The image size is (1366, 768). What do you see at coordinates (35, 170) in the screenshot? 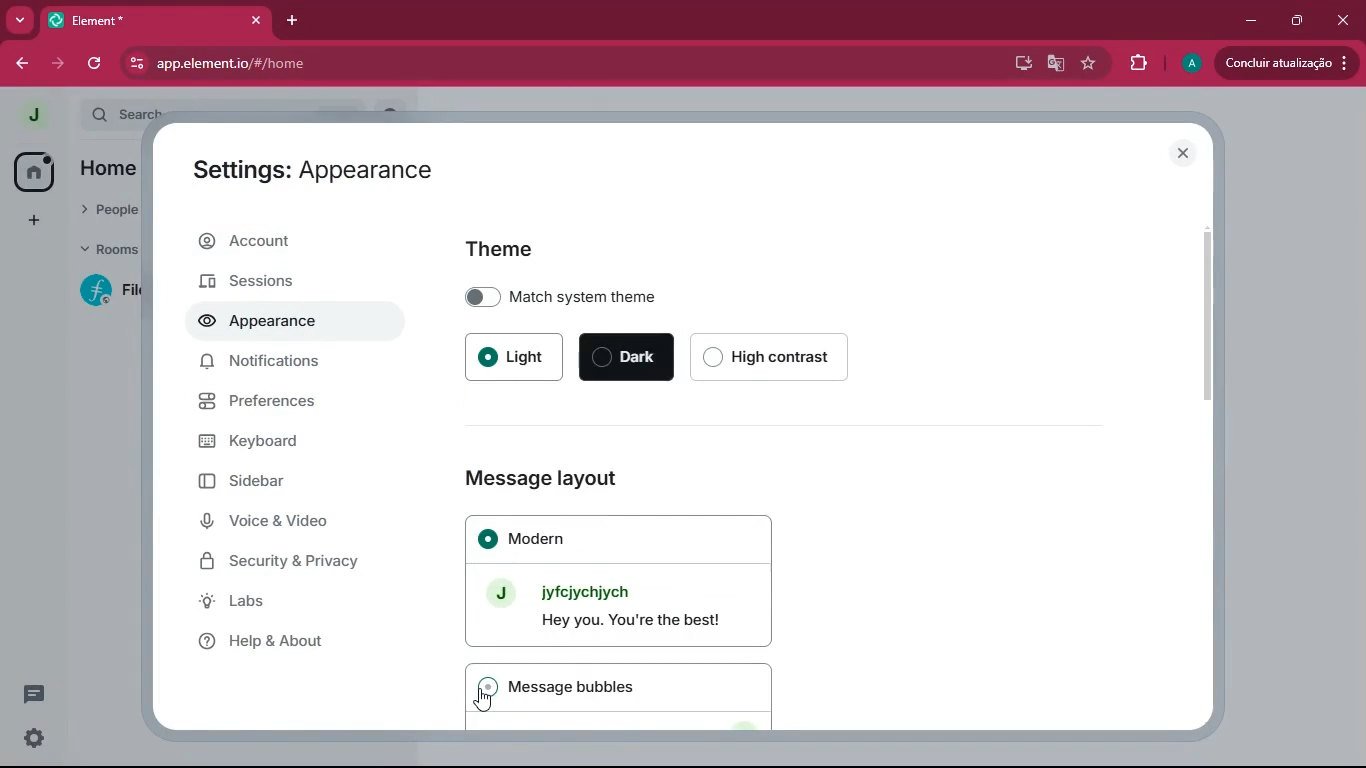
I see `home` at bounding box center [35, 170].